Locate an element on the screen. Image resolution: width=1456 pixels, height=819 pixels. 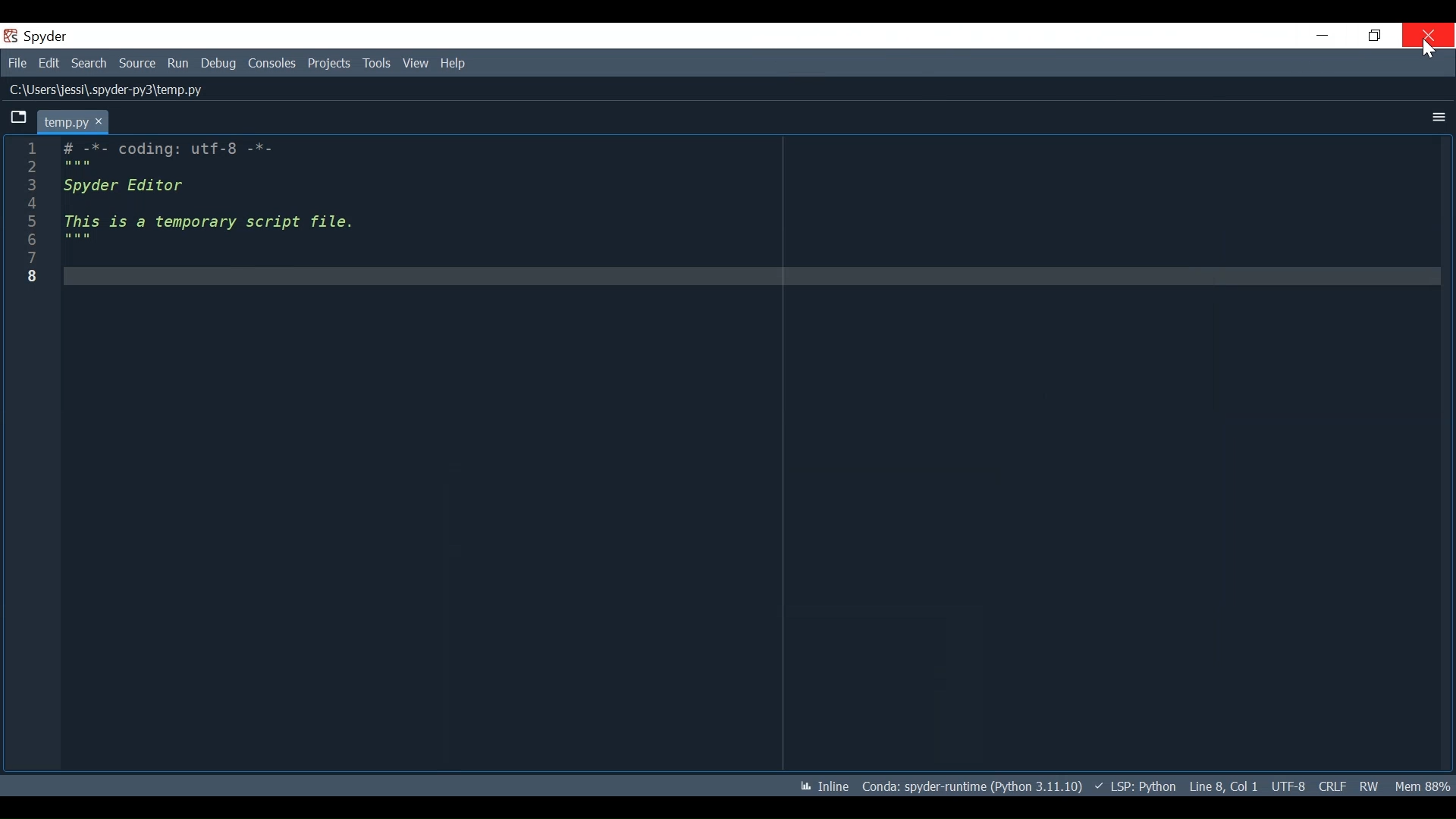
Conda: spyder-runtime(Python 3.11.10) is located at coordinates (968, 786).